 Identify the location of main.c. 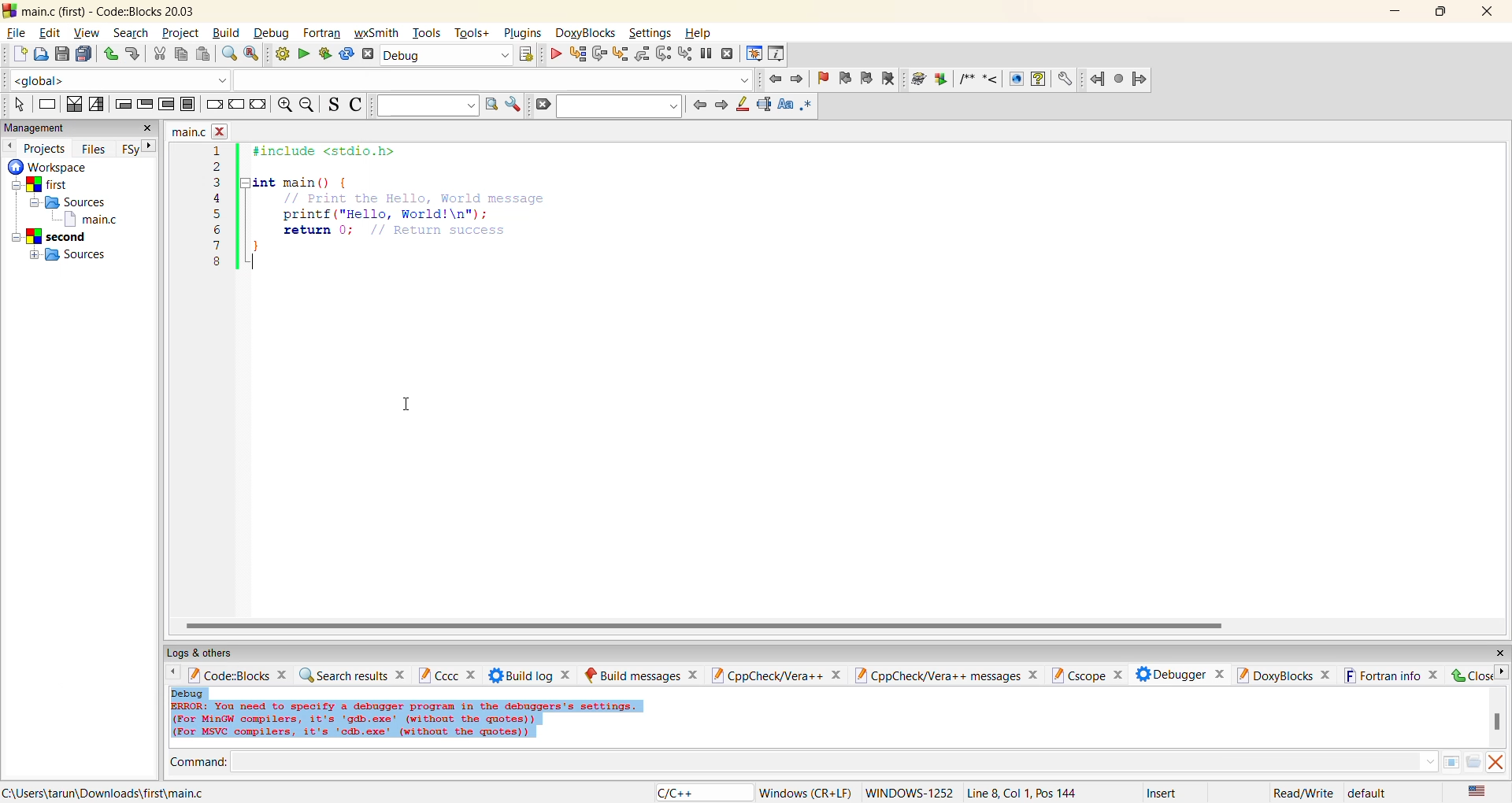
(94, 220).